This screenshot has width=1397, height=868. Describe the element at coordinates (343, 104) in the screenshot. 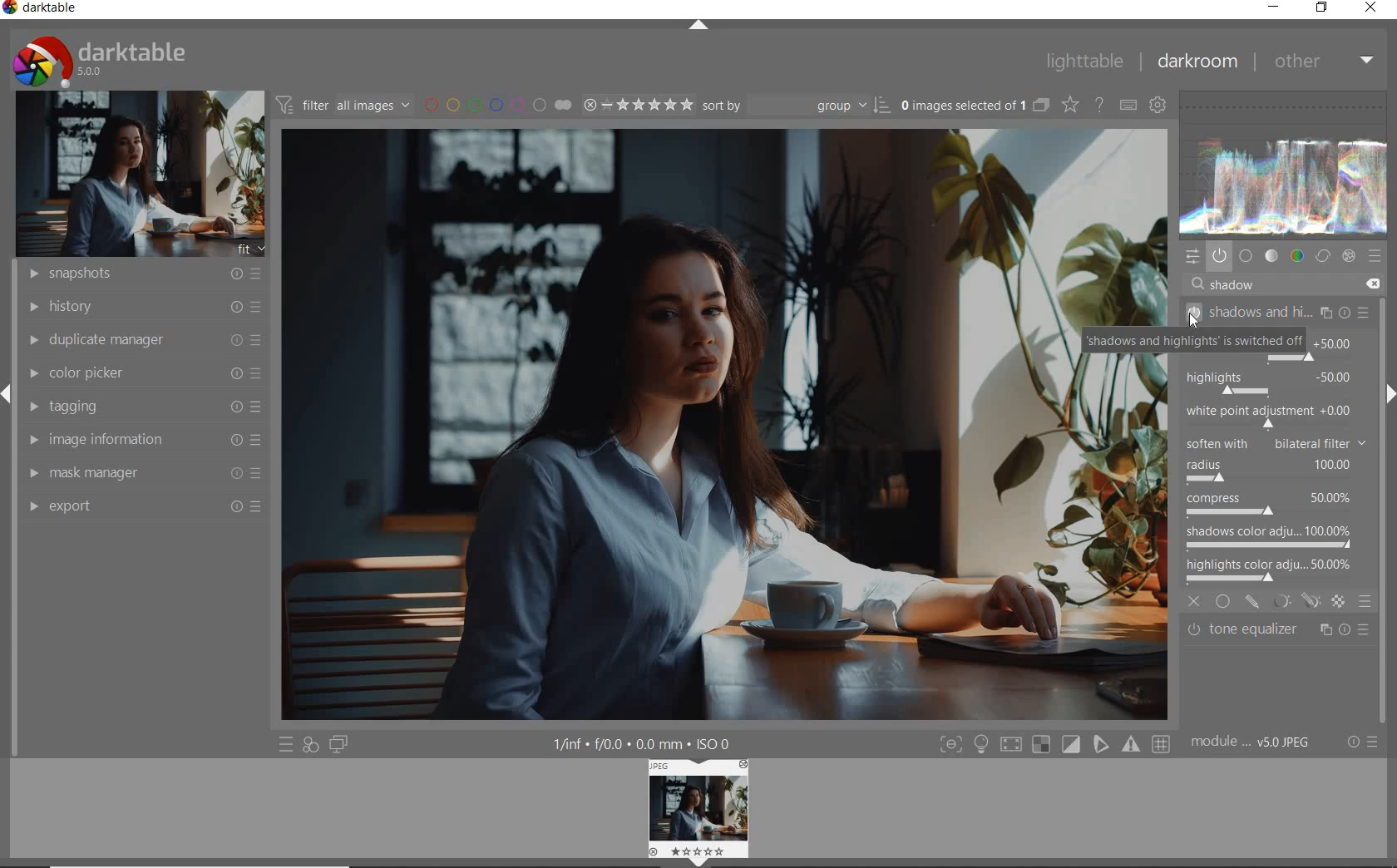

I see `filter all images` at that location.